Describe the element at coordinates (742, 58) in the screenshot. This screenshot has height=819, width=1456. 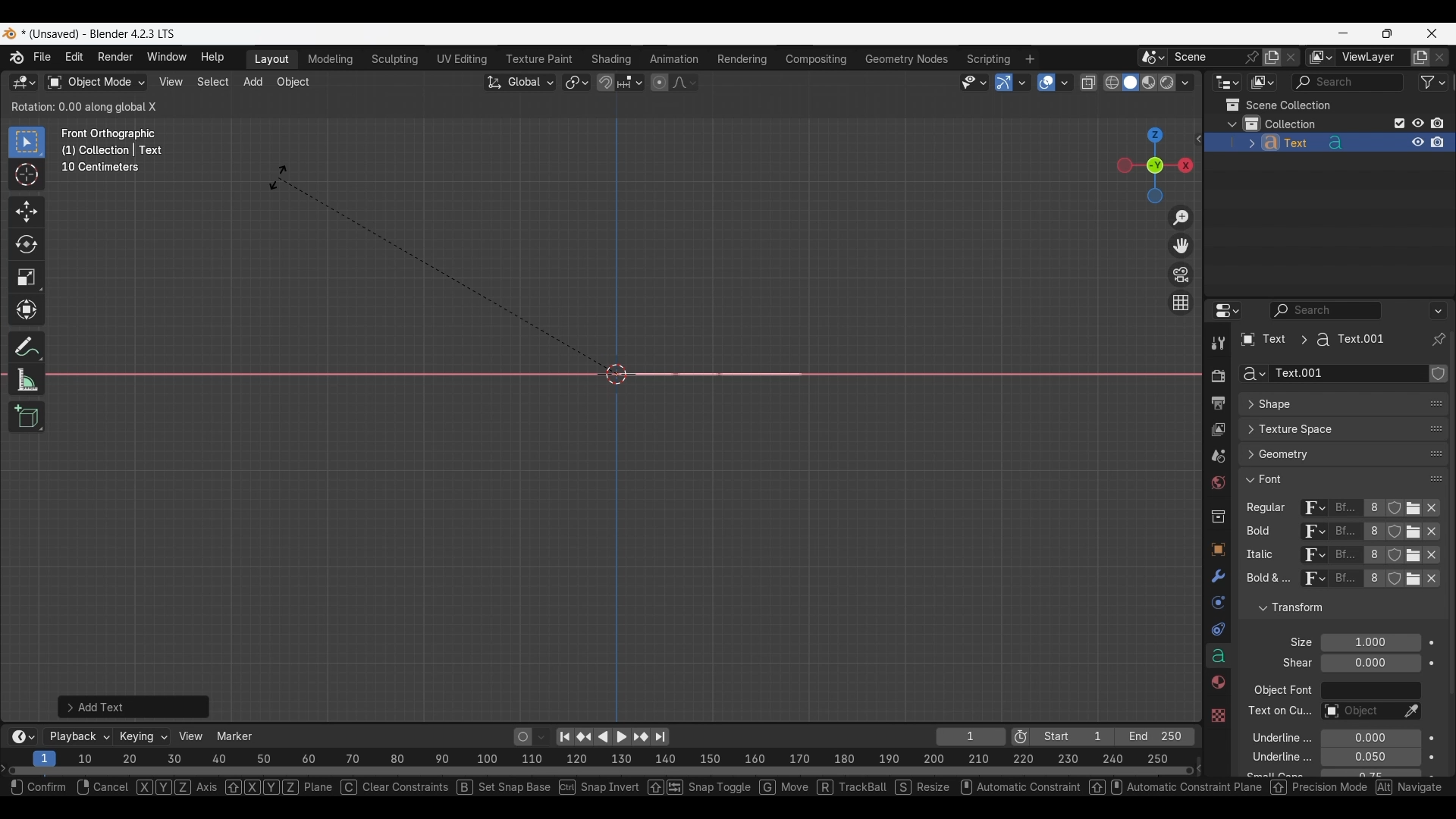
I see `Rendering workspace` at that location.